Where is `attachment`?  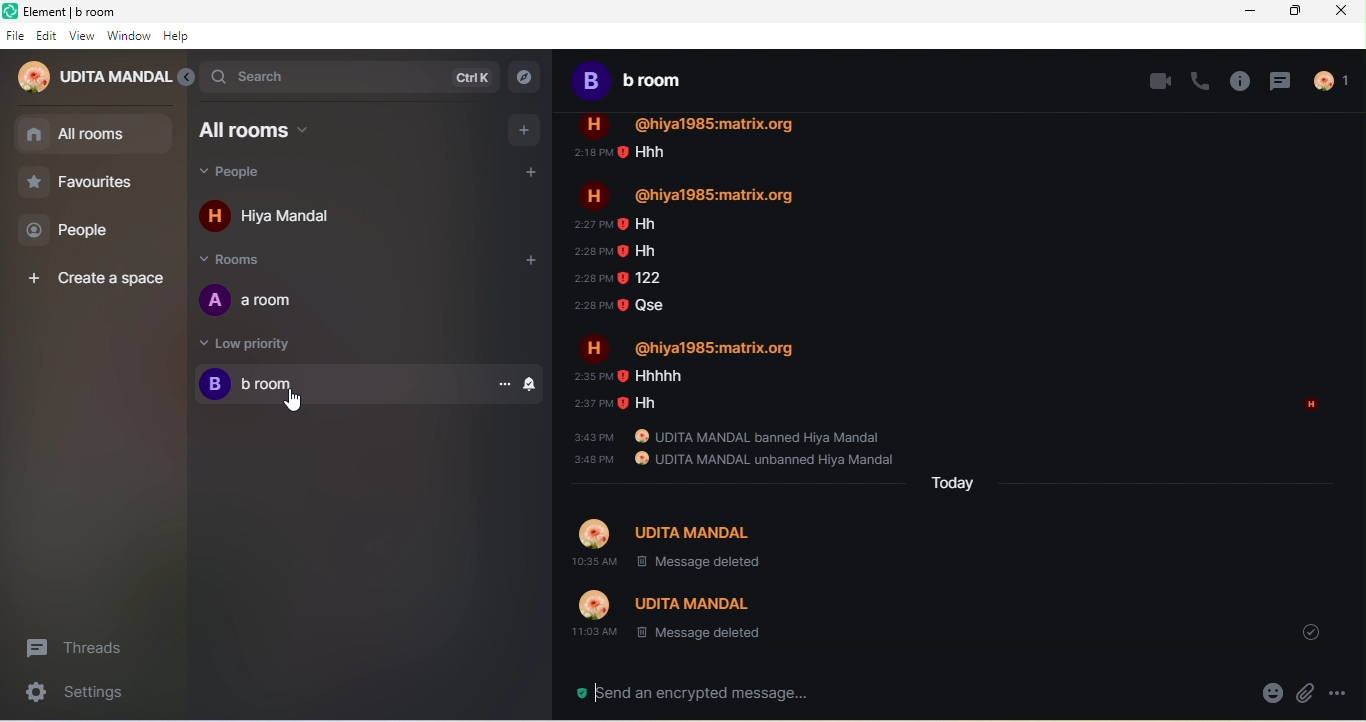
attachment is located at coordinates (1307, 696).